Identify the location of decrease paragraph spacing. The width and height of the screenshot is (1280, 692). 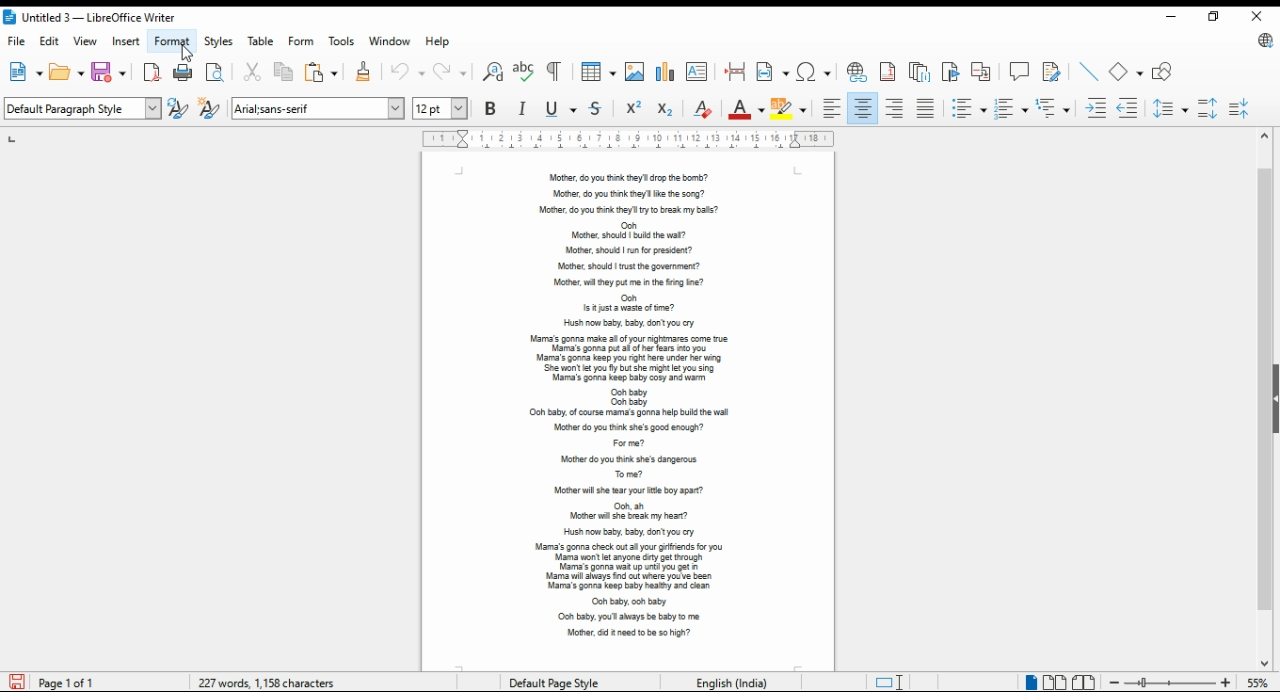
(1244, 108).